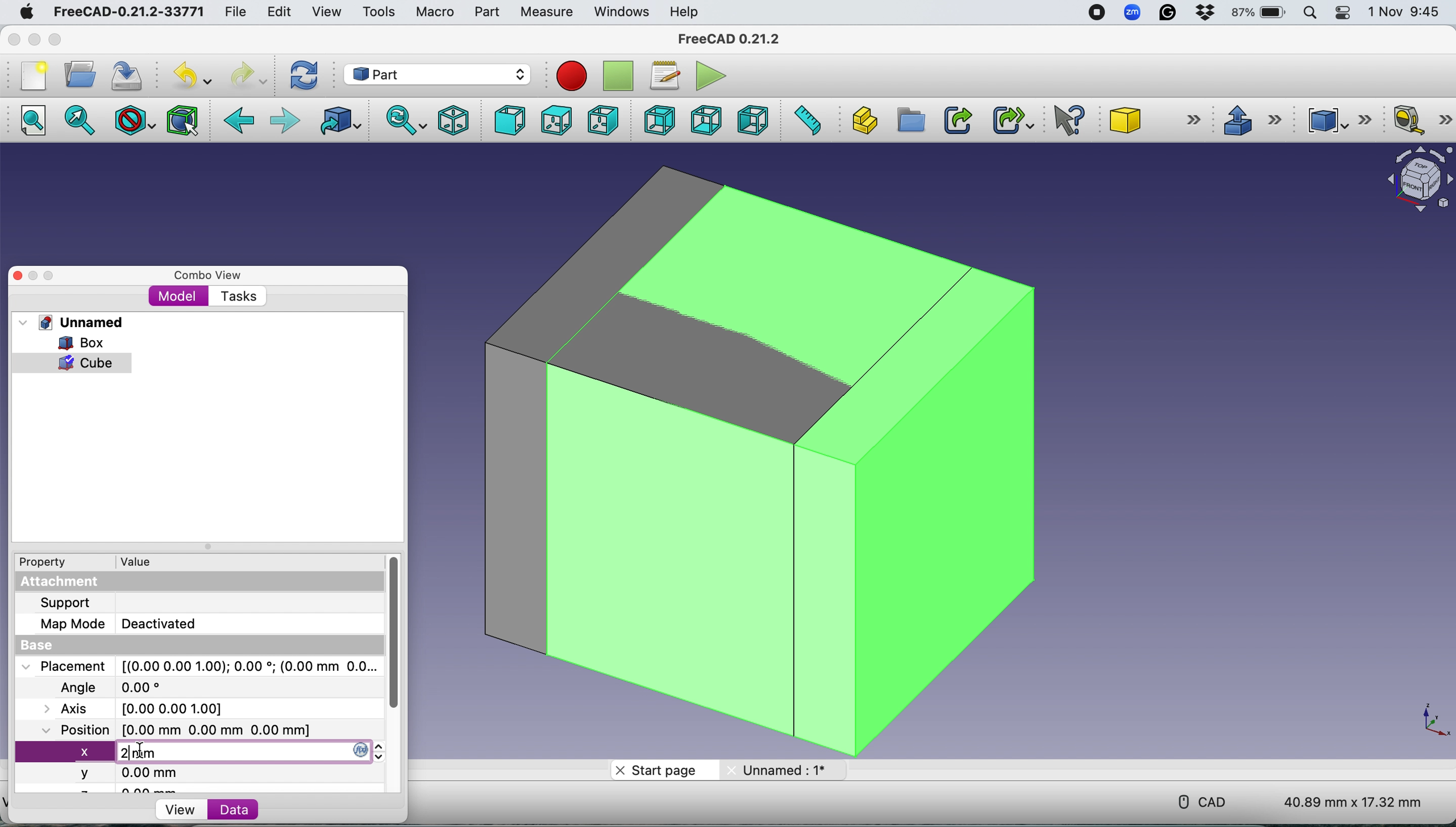  I want to click on Close, so click(14, 39).